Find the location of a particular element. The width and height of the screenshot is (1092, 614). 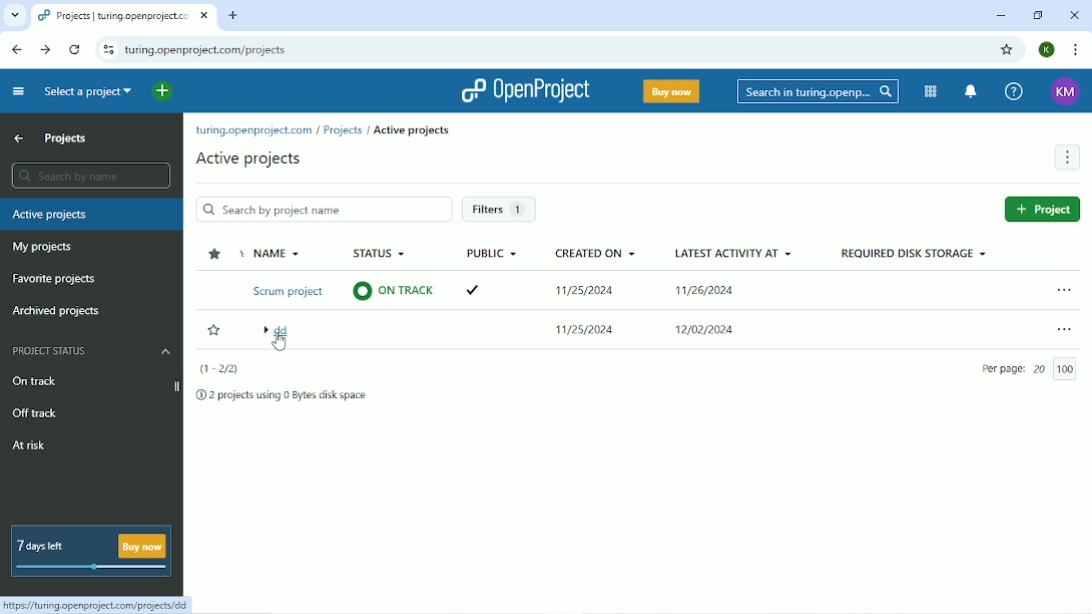

Open menu is located at coordinates (1062, 289).